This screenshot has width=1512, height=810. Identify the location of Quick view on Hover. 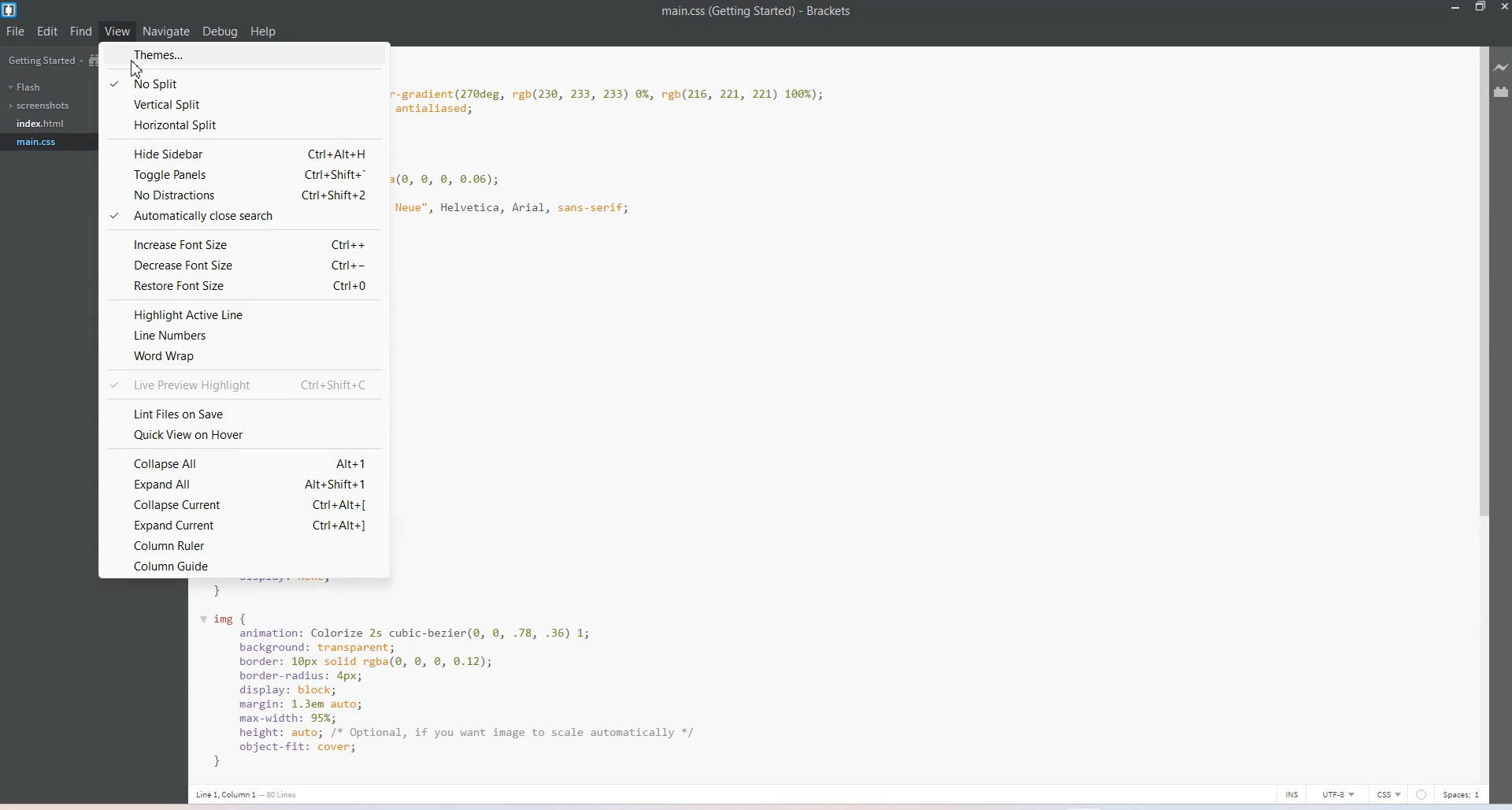
(242, 434).